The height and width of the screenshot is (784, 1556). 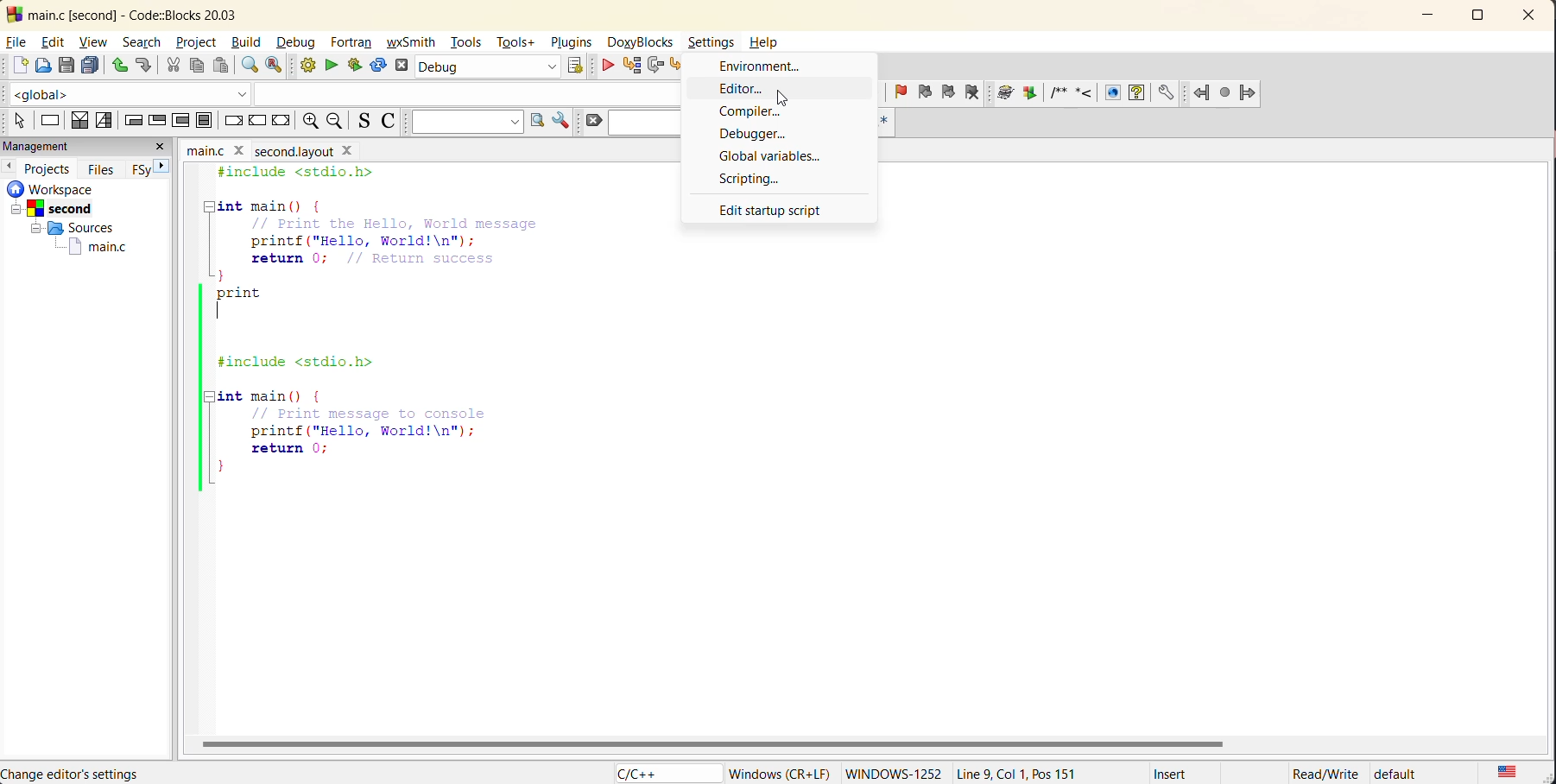 I want to click on minimize, so click(x=1434, y=14).